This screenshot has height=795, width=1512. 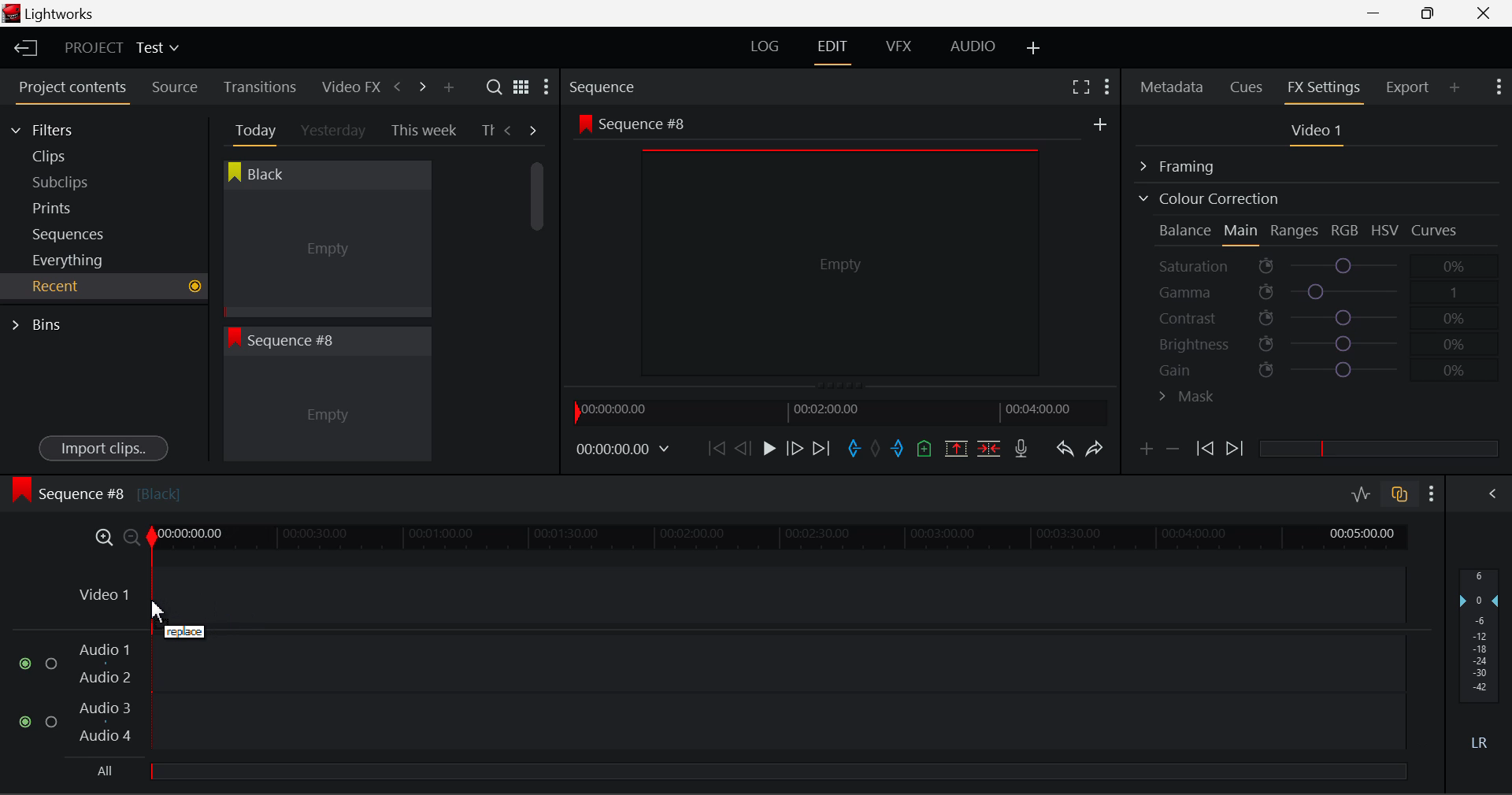 What do you see at coordinates (20, 49) in the screenshot?
I see `Back to Homepage` at bounding box center [20, 49].